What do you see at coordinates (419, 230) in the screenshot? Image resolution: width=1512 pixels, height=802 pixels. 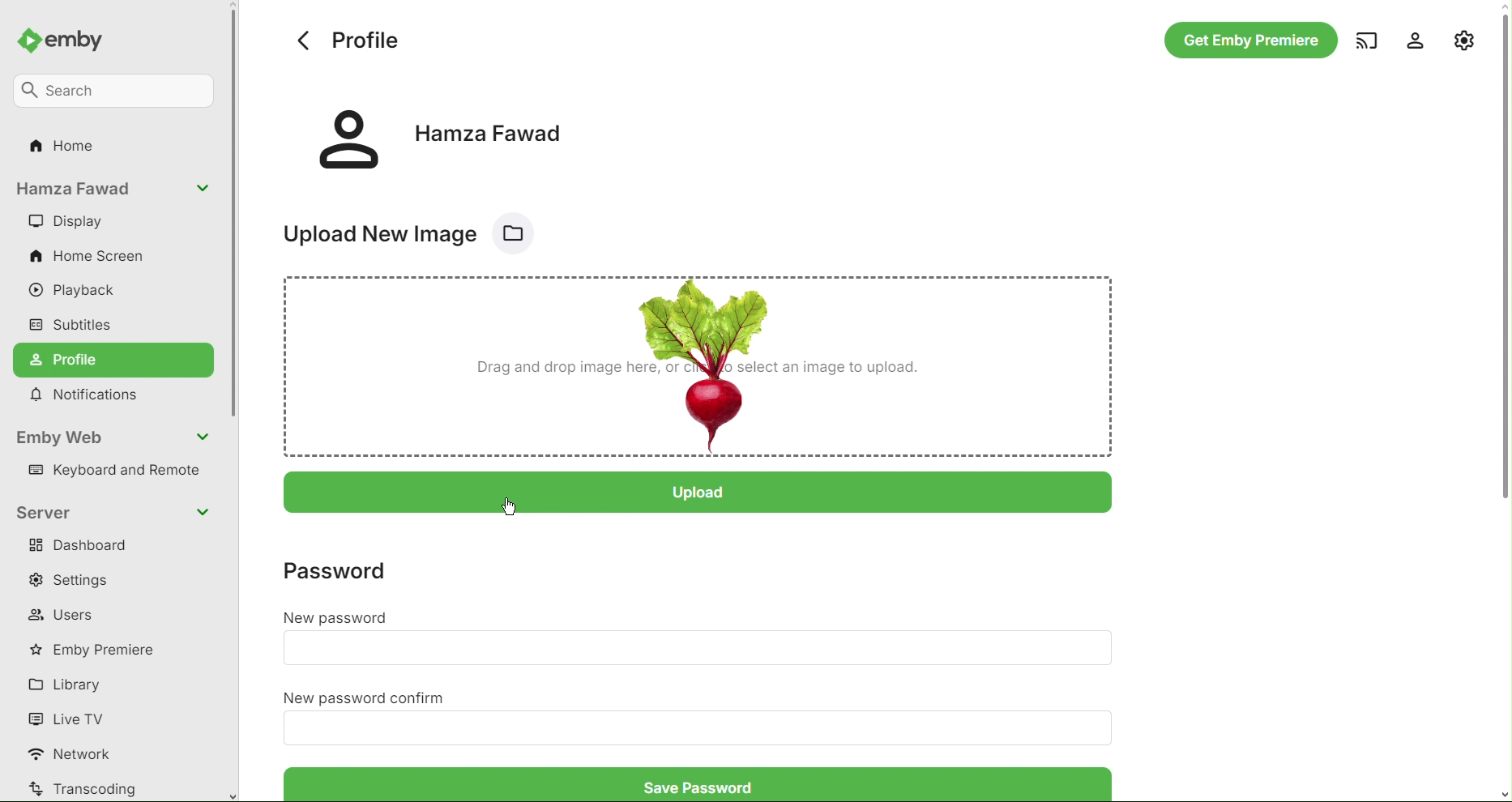 I see `Upload New Image` at bounding box center [419, 230].